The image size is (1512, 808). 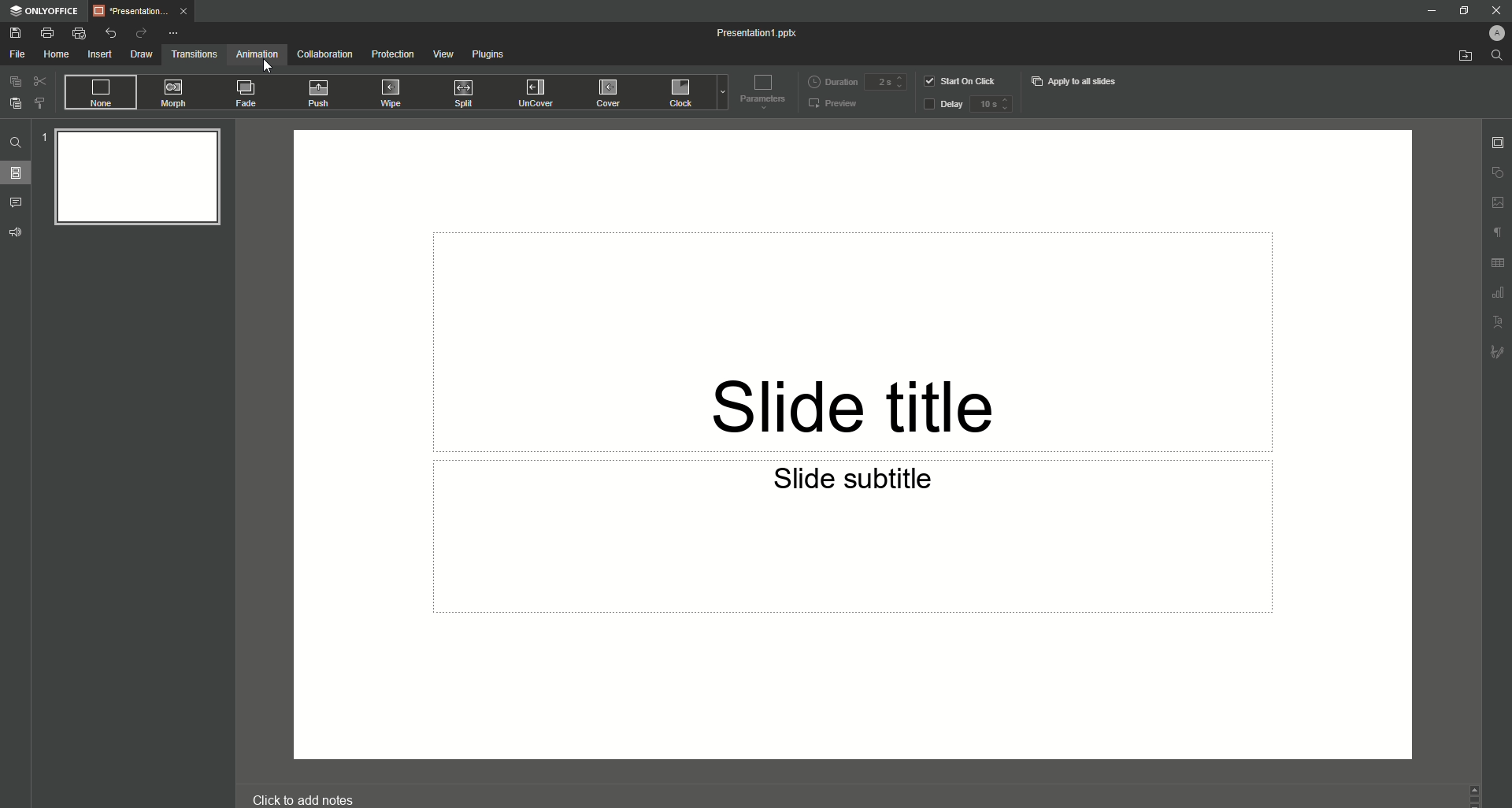 I want to click on Save, so click(x=16, y=34).